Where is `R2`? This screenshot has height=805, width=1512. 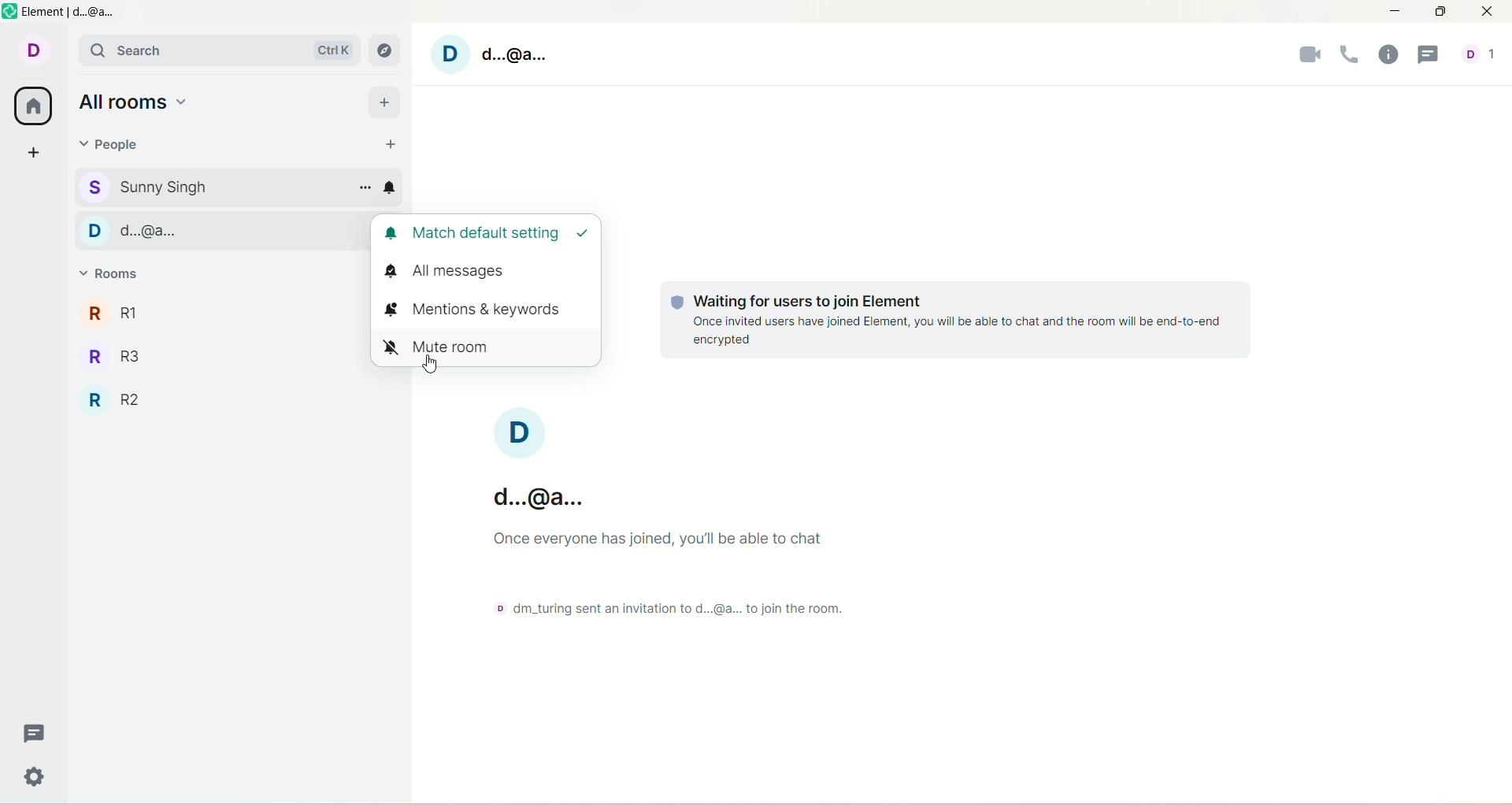
R2 is located at coordinates (230, 400).